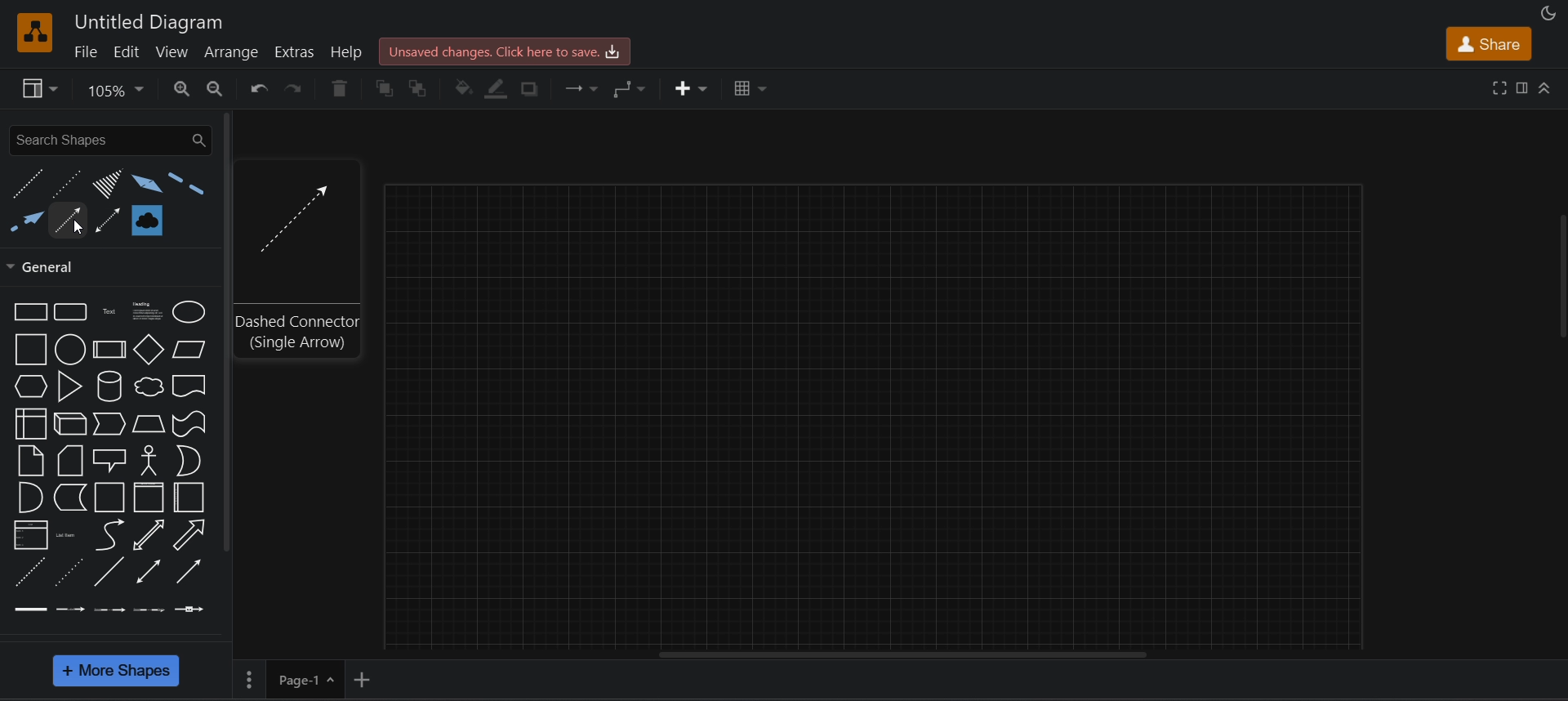 This screenshot has width=1568, height=701. Describe the element at coordinates (85, 51) in the screenshot. I see `file` at that location.